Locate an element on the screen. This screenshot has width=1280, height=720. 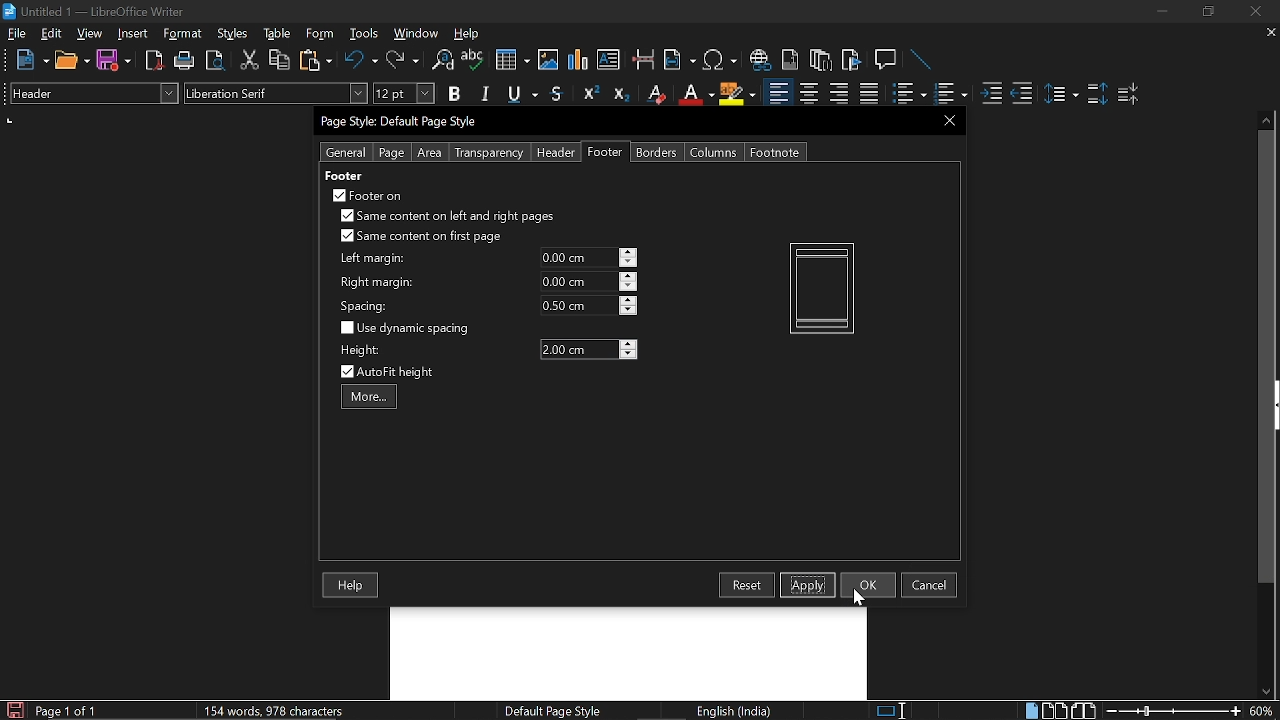
Header is located at coordinates (552, 153).